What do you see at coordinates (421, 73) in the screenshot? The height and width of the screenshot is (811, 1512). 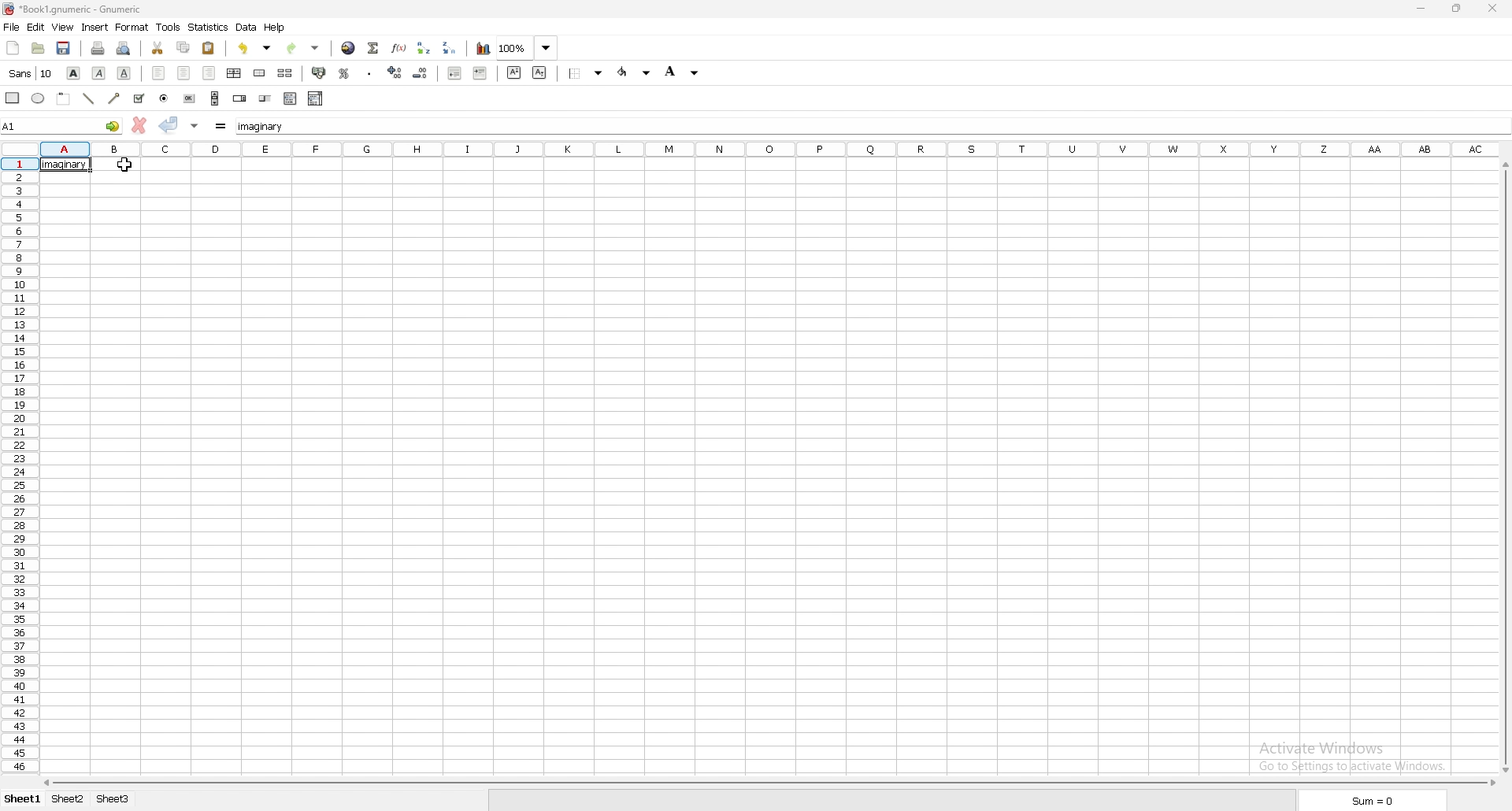 I see `decrease decimals` at bounding box center [421, 73].